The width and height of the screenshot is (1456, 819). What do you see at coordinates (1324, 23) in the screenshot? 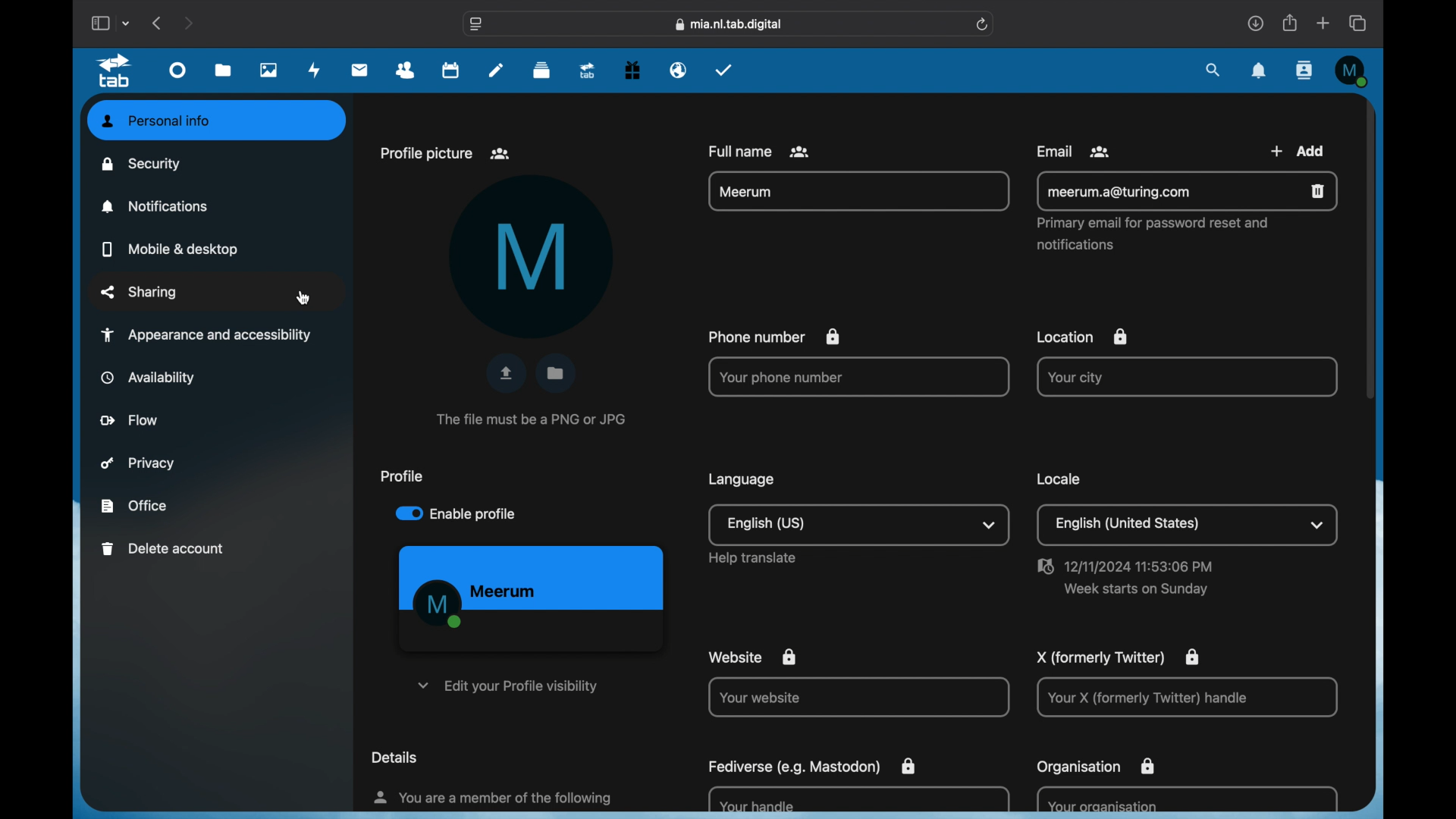
I see `new tab` at bounding box center [1324, 23].